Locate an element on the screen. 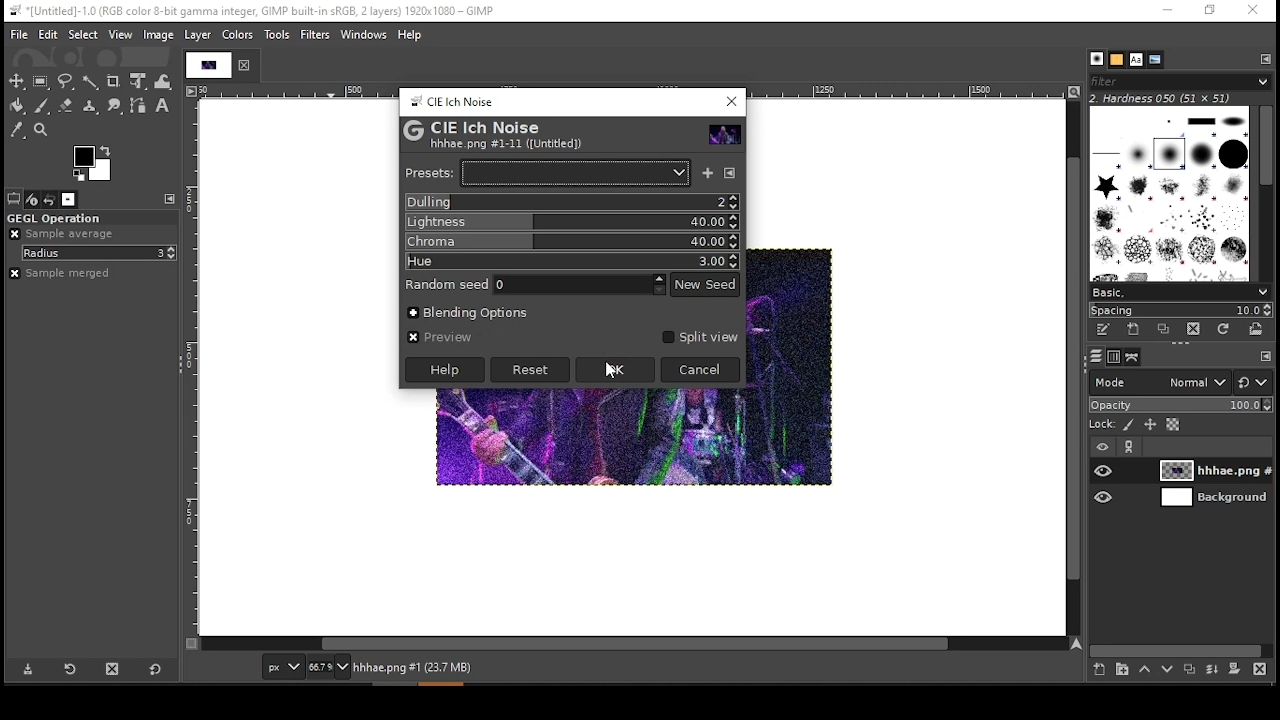 This screenshot has width=1280, height=720. restore to defaults is located at coordinates (156, 669).